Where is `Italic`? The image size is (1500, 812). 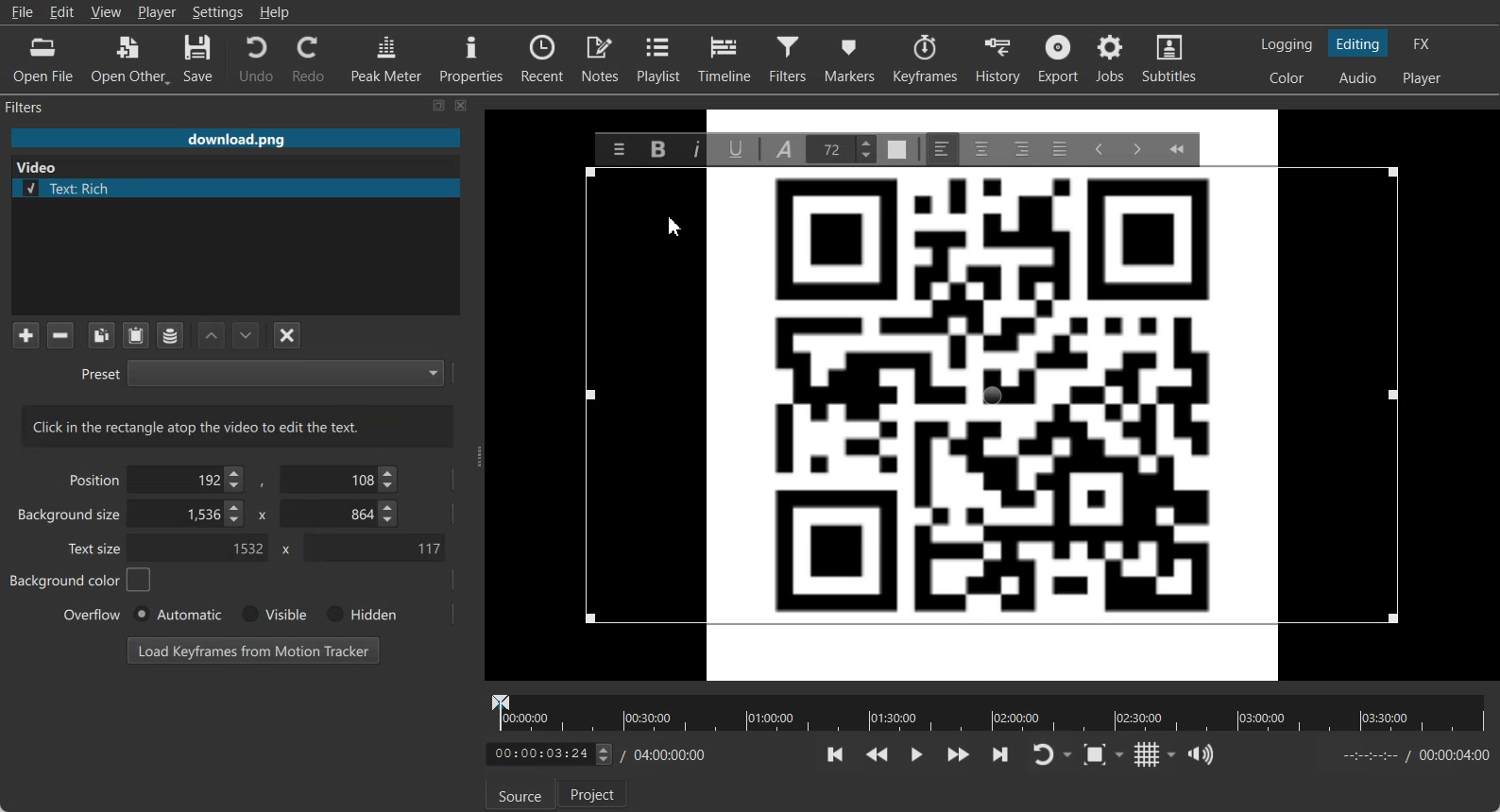
Italic is located at coordinates (695, 149).